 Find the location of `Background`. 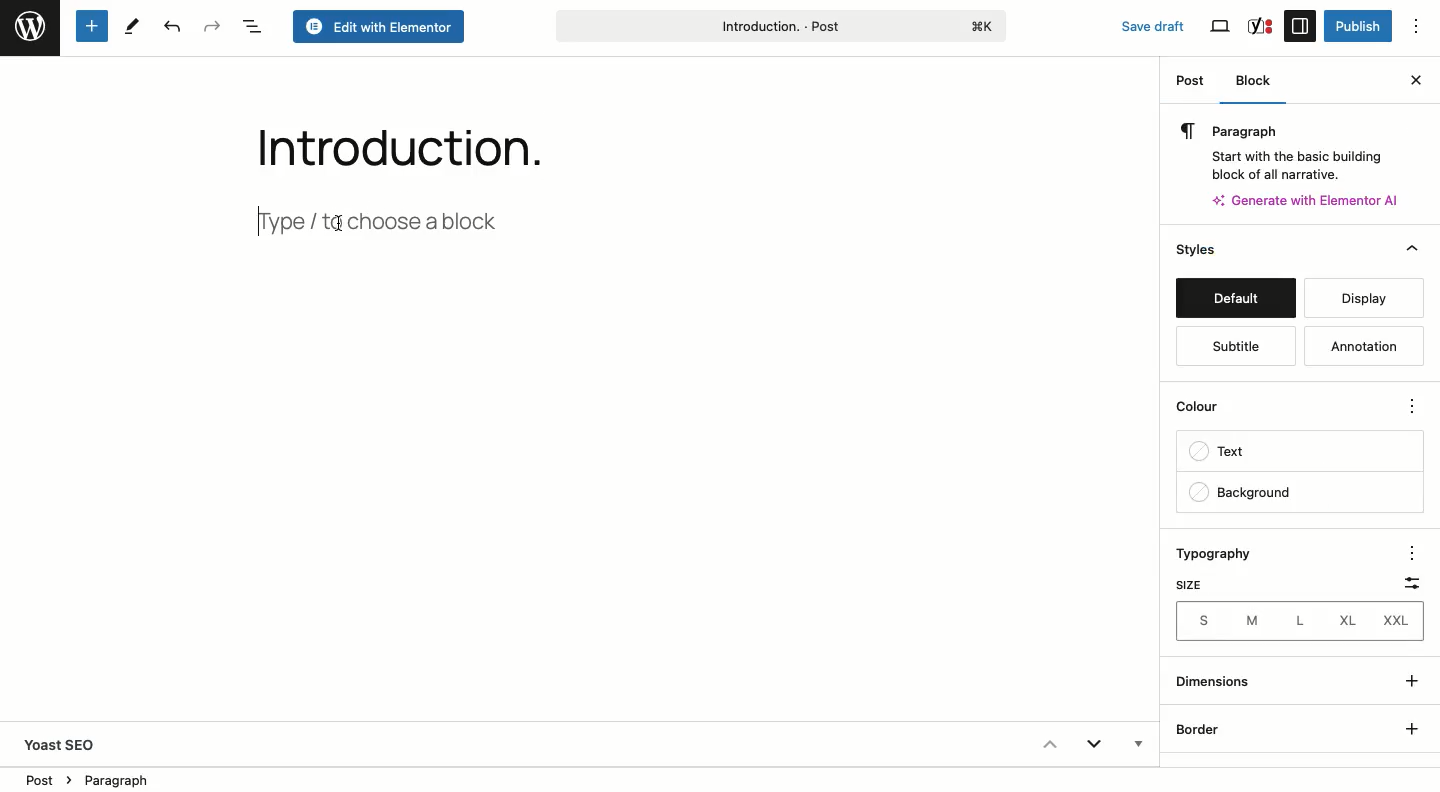

Background is located at coordinates (1241, 493).